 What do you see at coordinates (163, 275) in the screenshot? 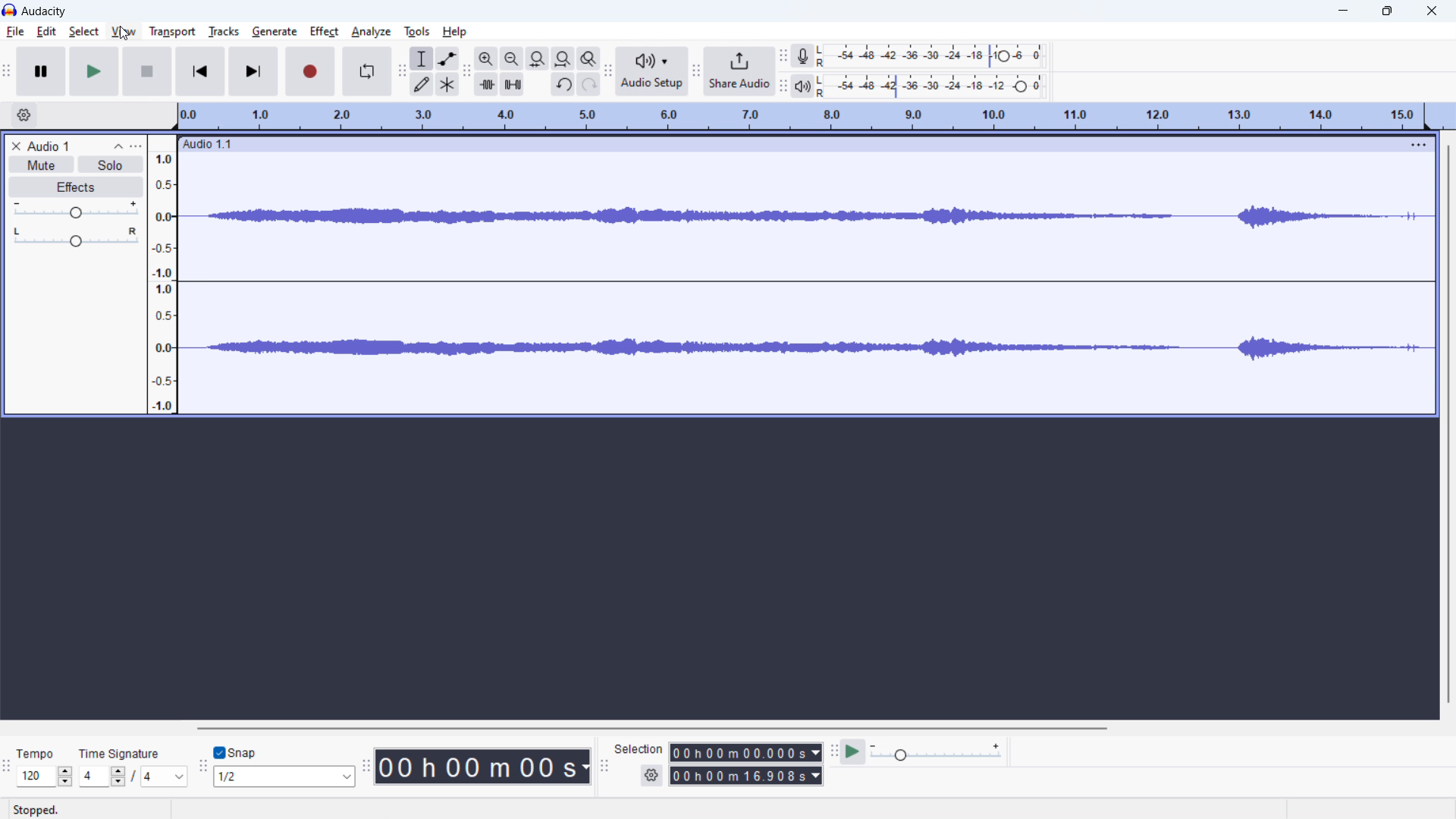
I see `amplitude` at bounding box center [163, 275].